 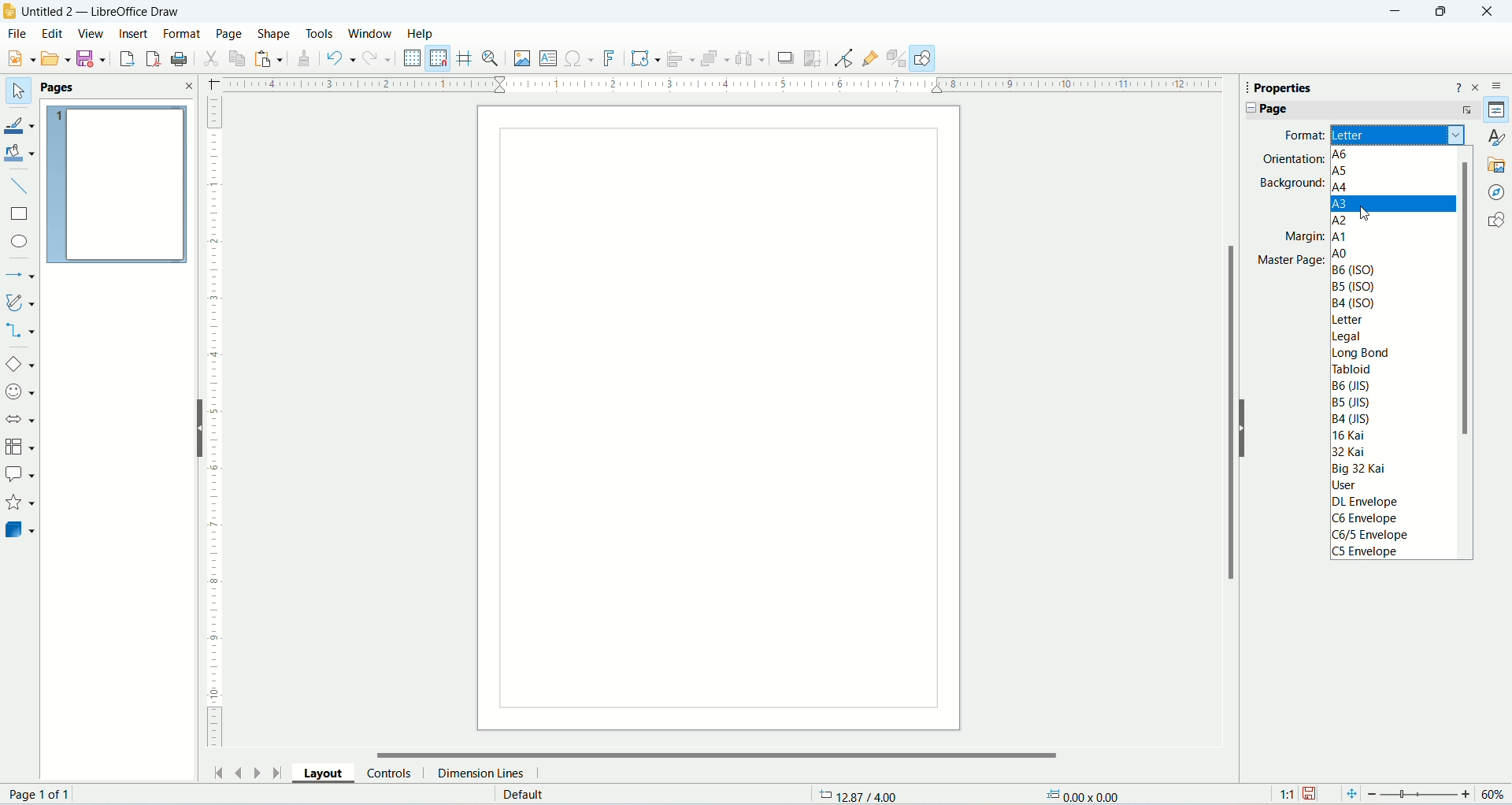 What do you see at coordinates (1351, 484) in the screenshot?
I see `user` at bounding box center [1351, 484].